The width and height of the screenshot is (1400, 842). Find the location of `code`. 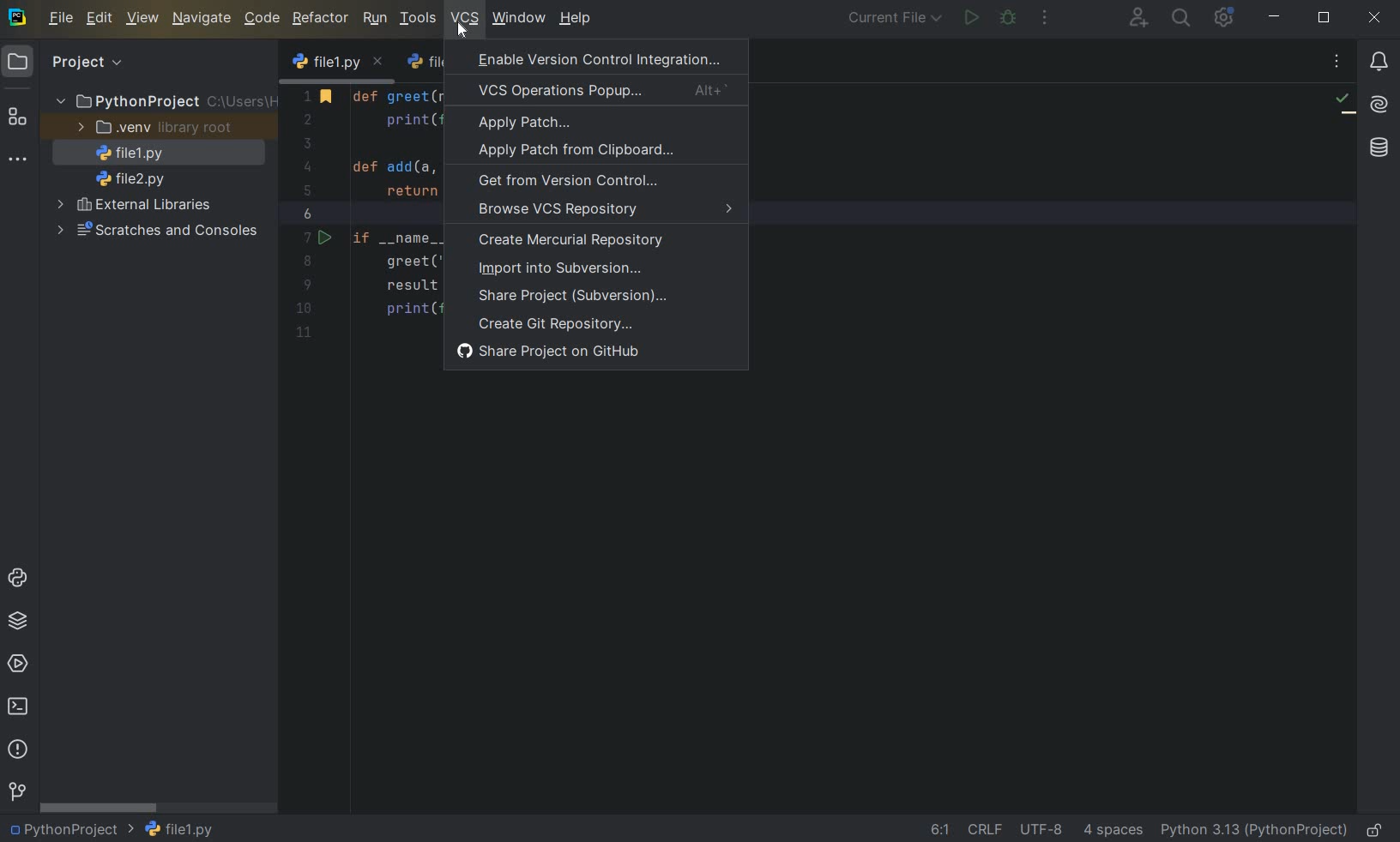

code is located at coordinates (395, 208).